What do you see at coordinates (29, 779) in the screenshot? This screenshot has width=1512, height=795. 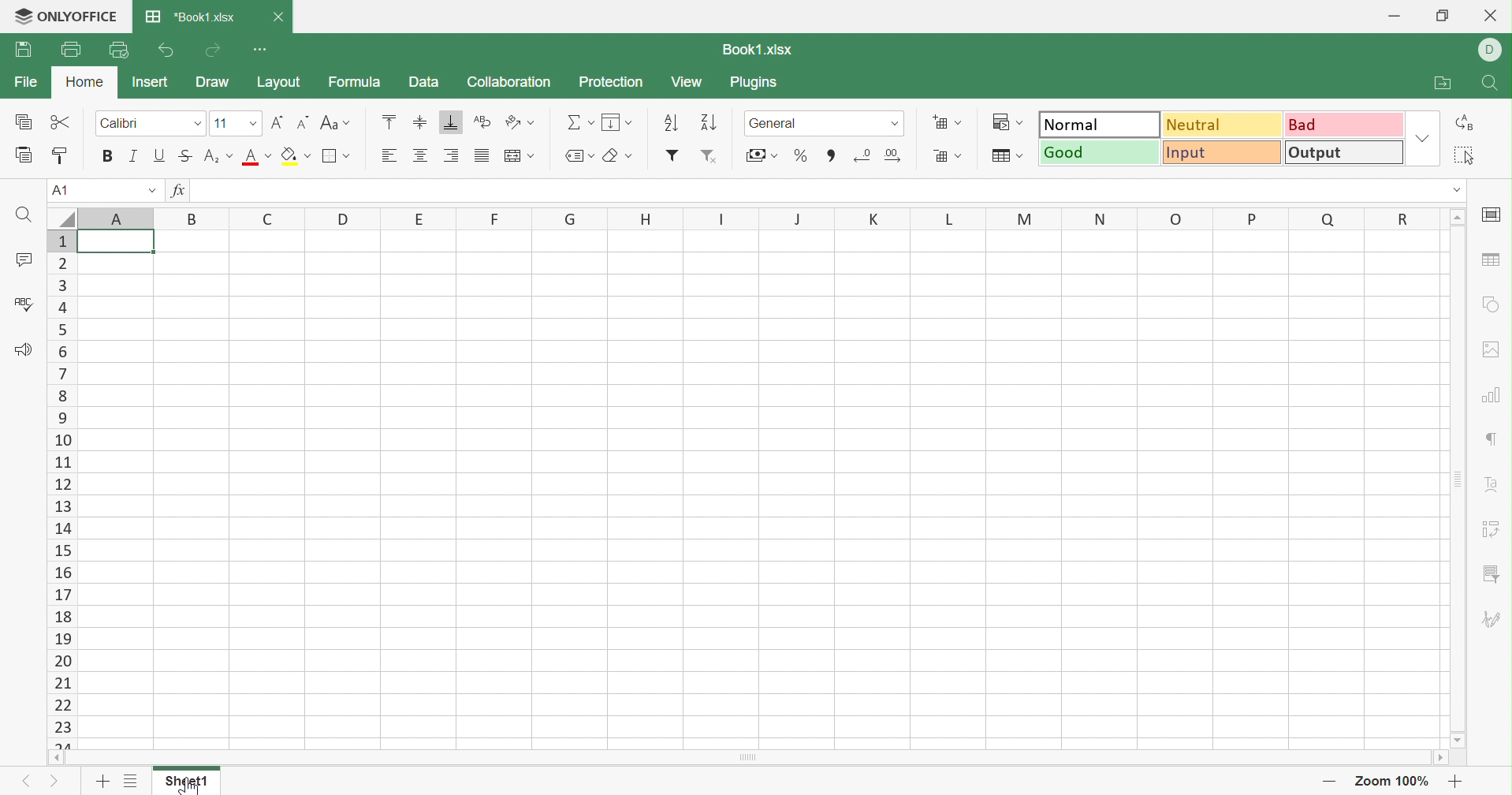 I see `Previous` at bounding box center [29, 779].